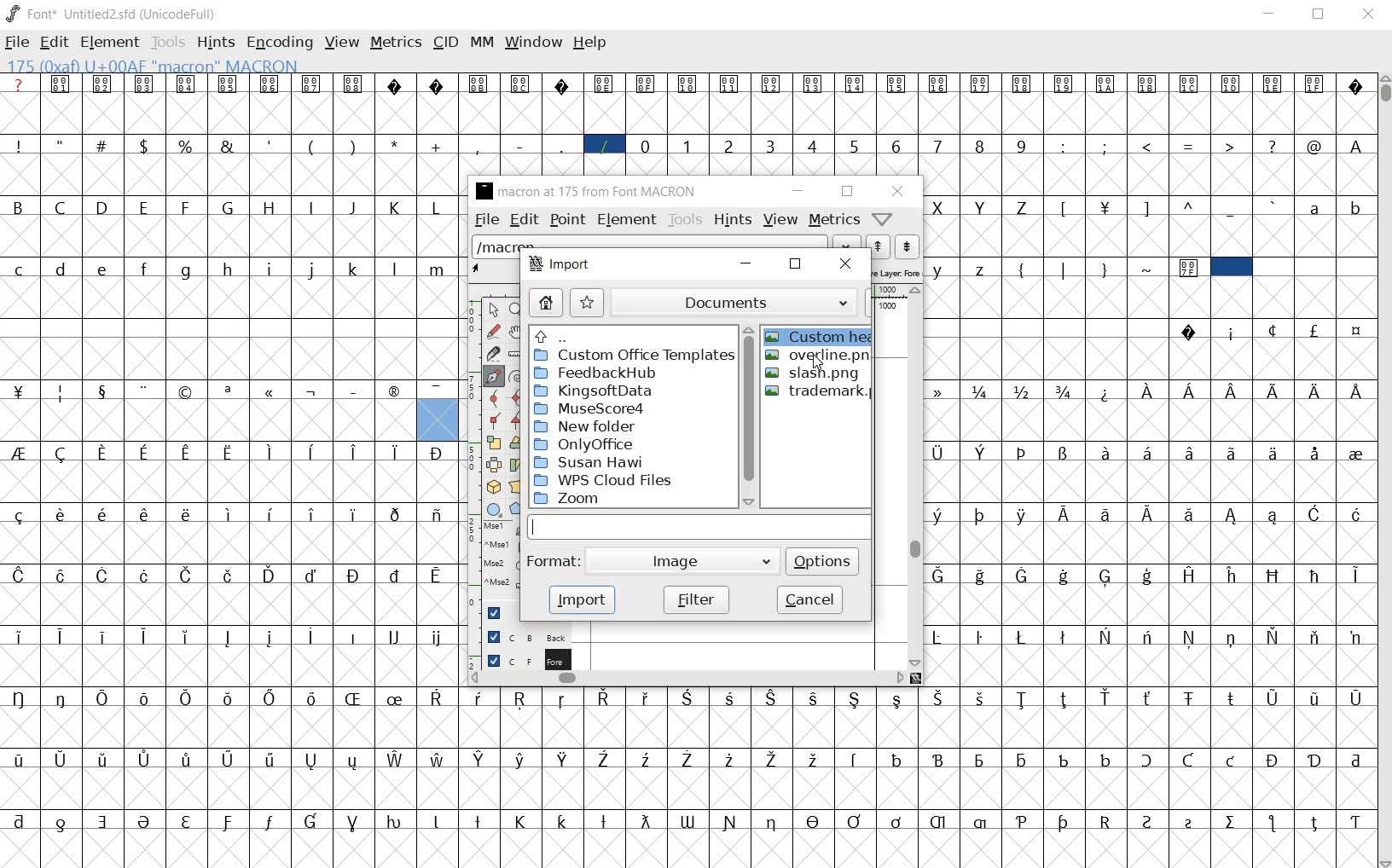  Describe the element at coordinates (1230, 574) in the screenshot. I see `Symbol` at that location.